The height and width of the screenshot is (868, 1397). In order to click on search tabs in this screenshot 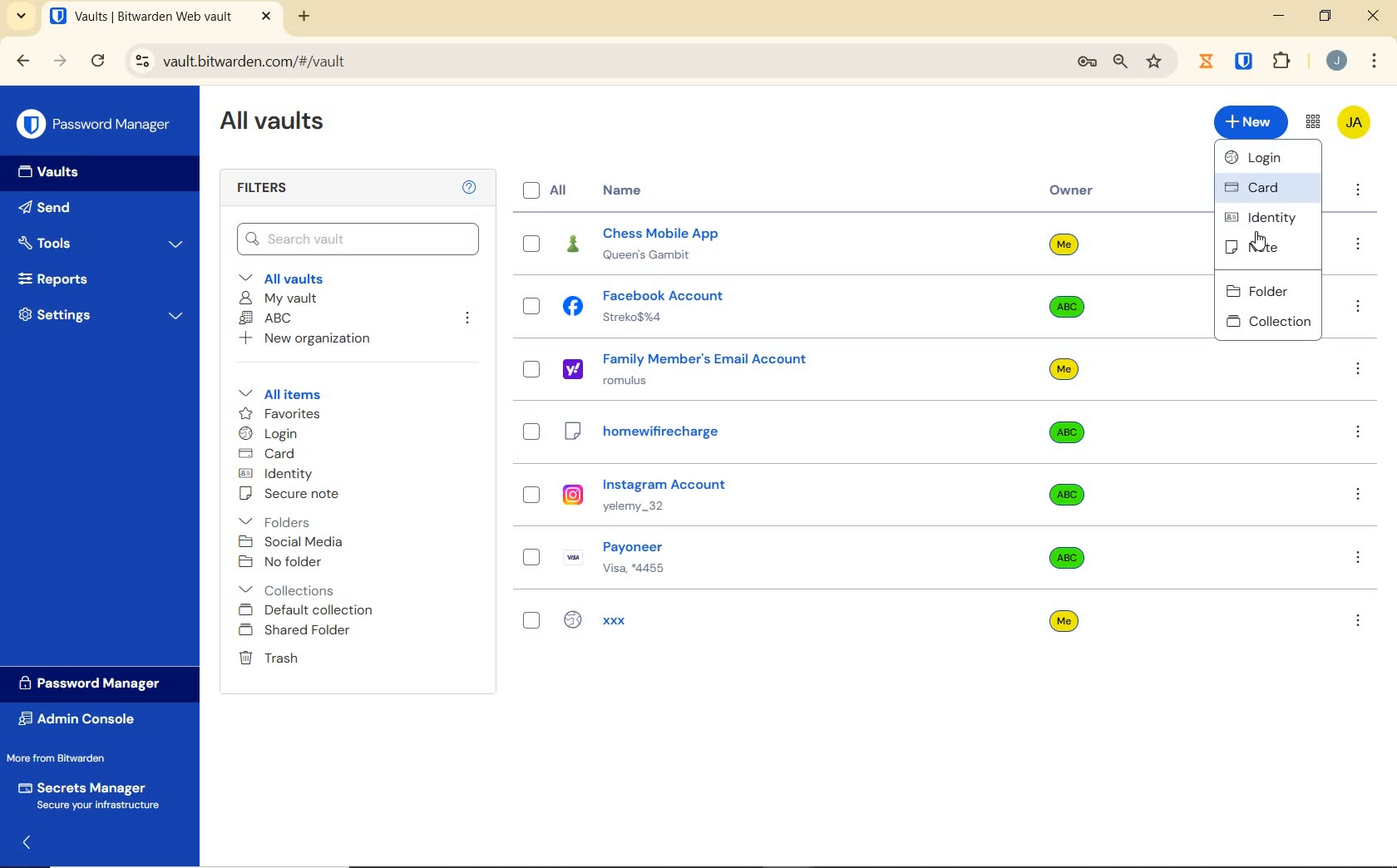, I will do `click(22, 16)`.